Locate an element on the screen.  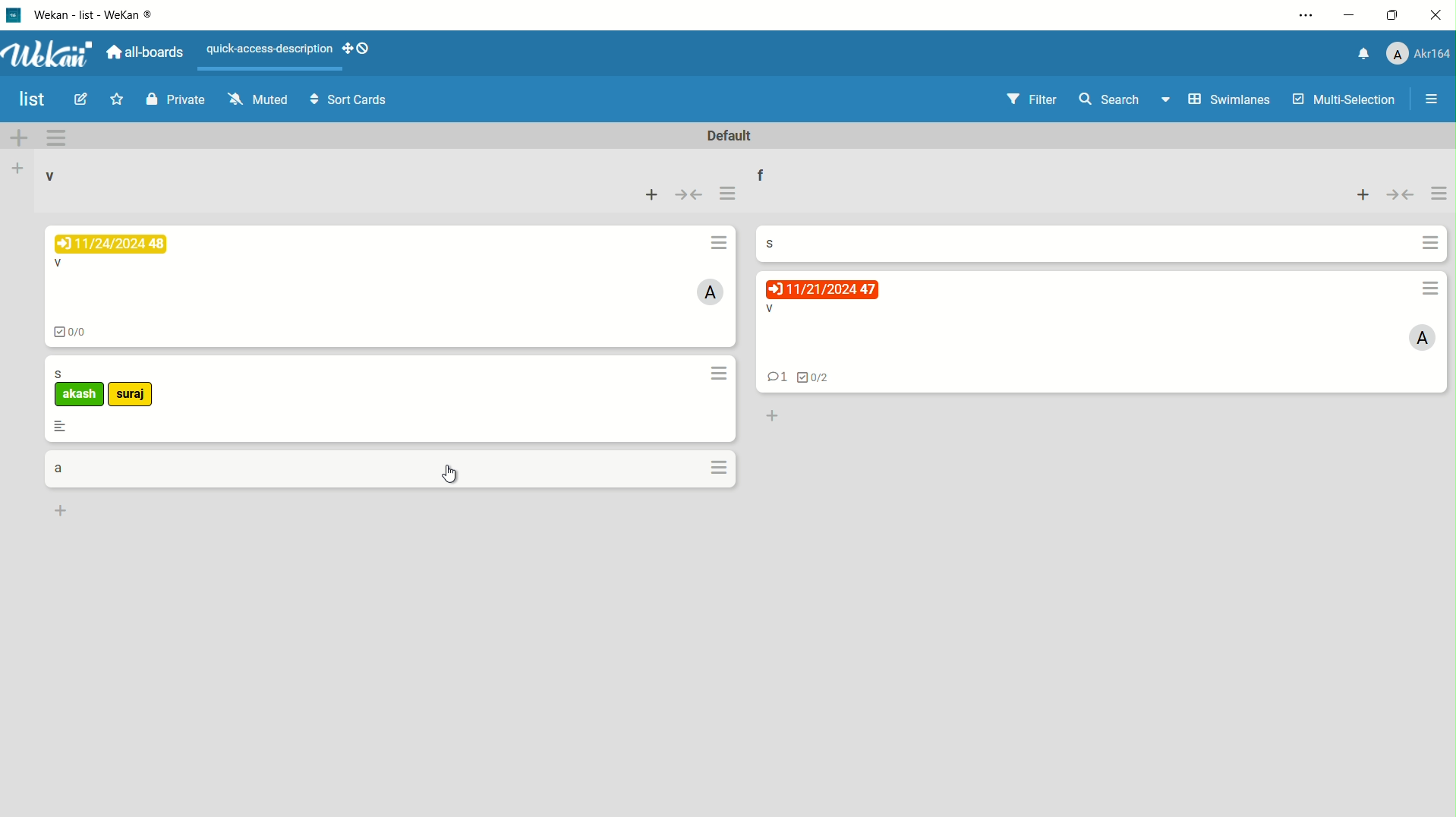
profile is located at coordinates (1419, 54).